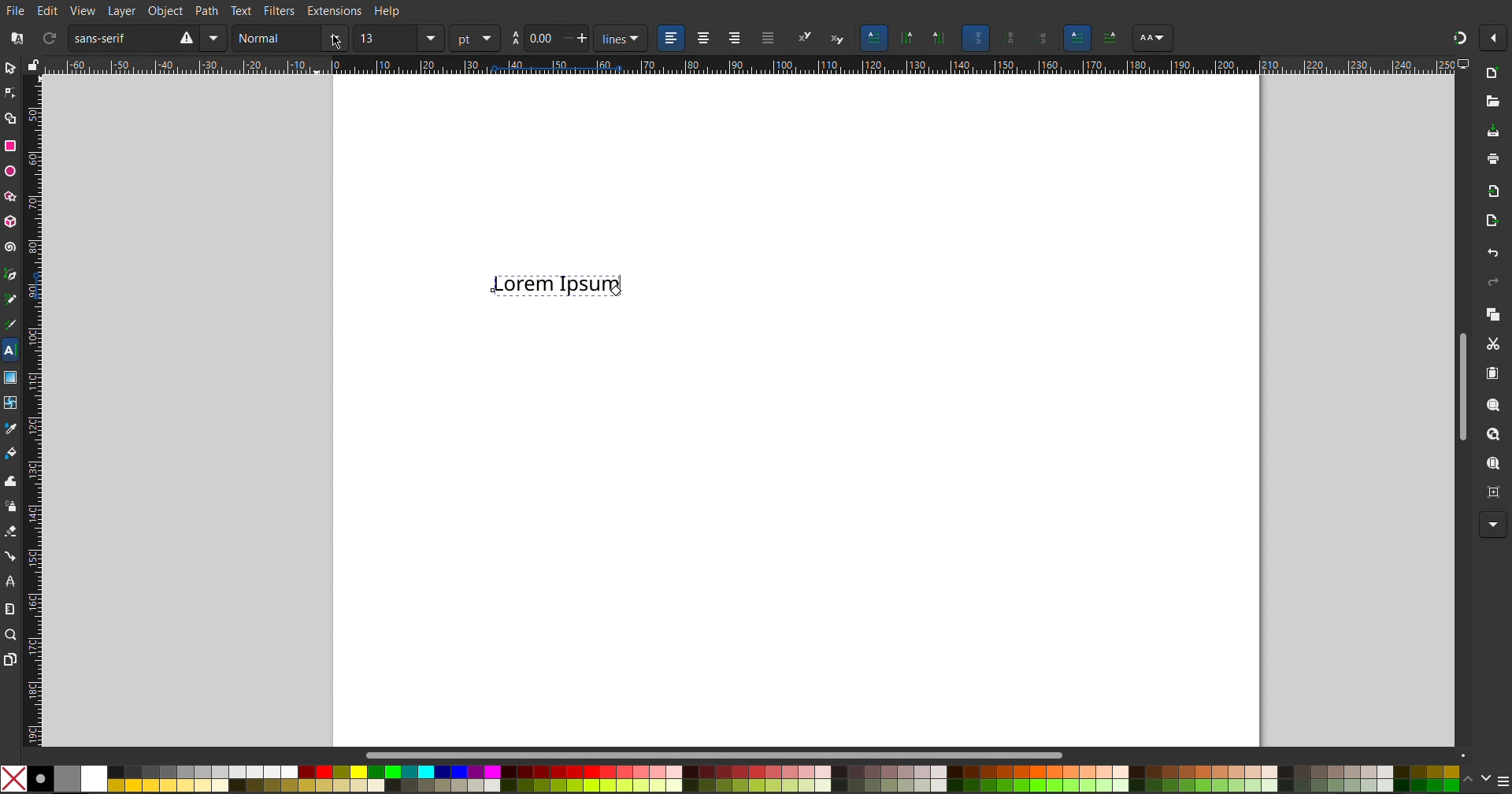  Describe the element at coordinates (146, 39) in the screenshot. I see `Font` at that location.